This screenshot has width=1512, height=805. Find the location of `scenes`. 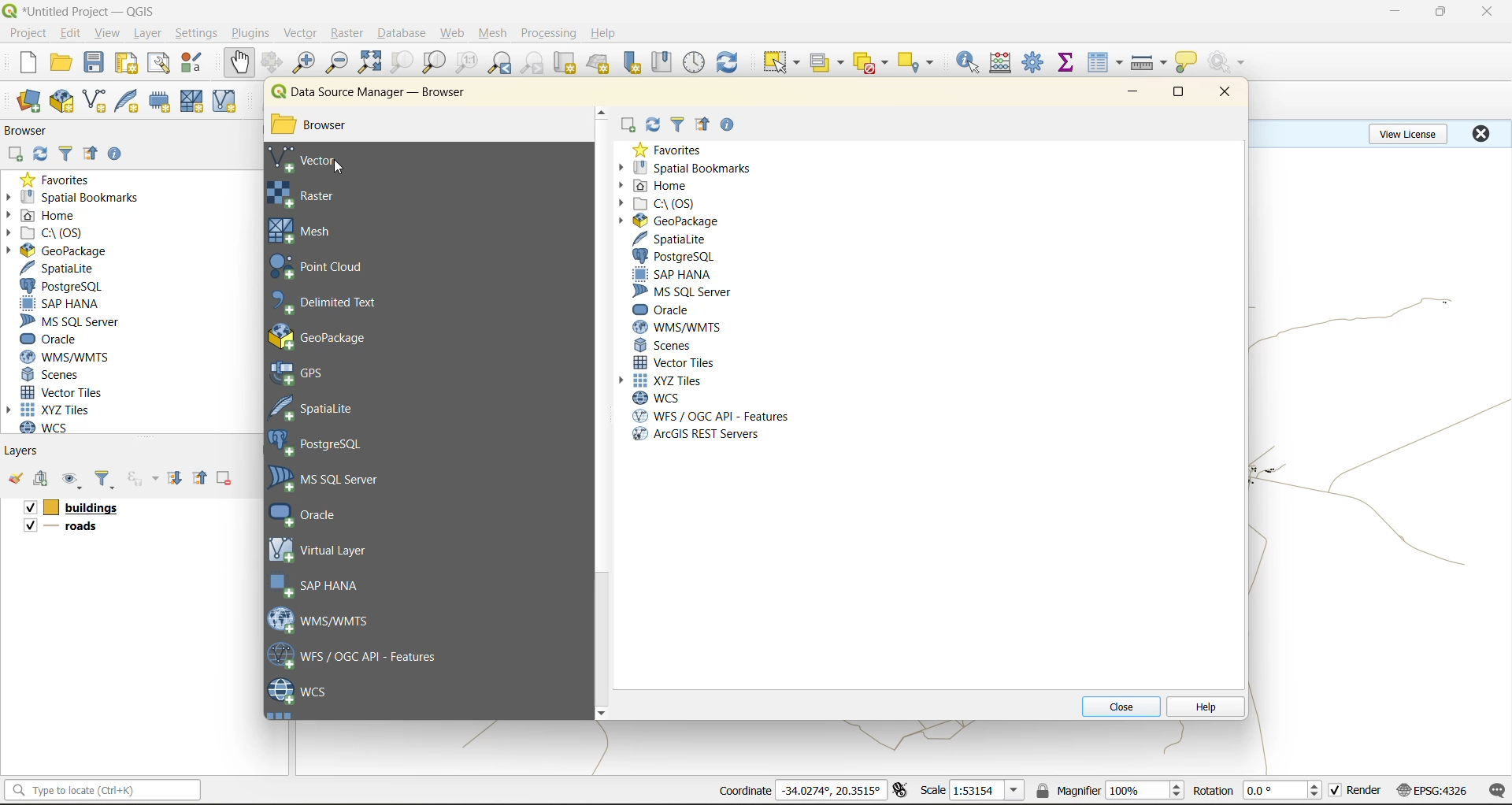

scenes is located at coordinates (52, 375).